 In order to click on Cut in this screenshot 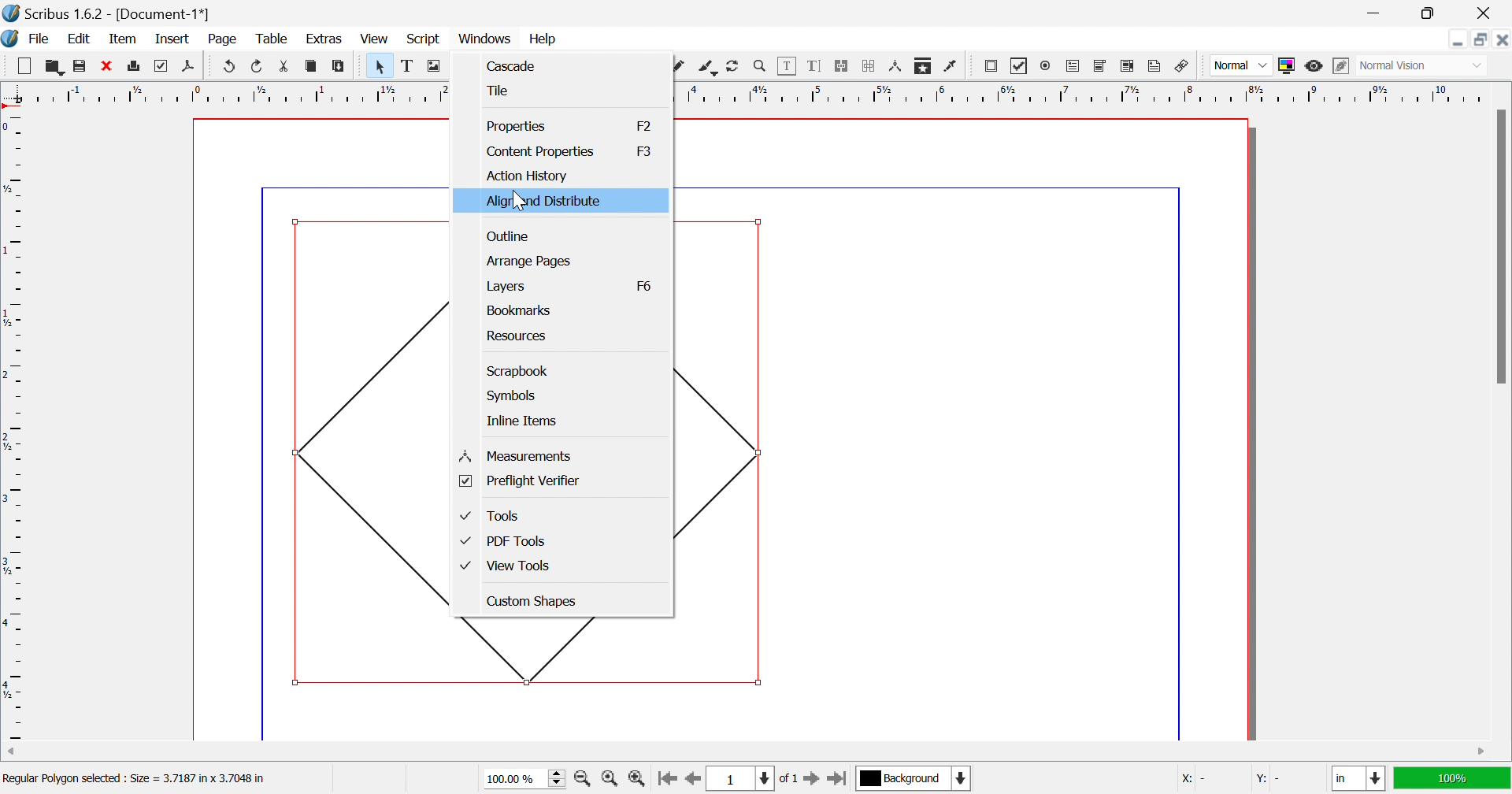, I will do `click(288, 69)`.